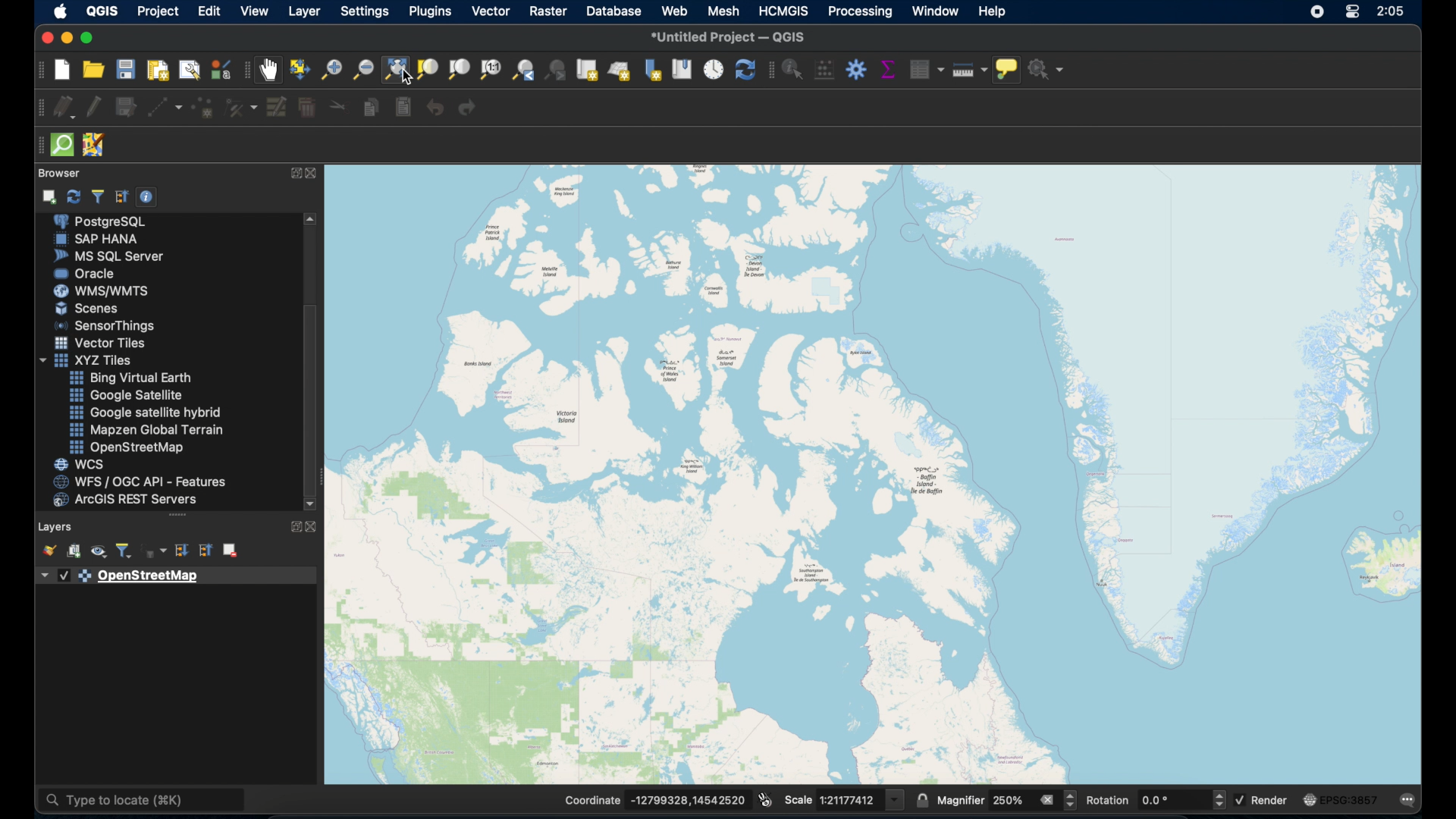 This screenshot has width=1456, height=819. I want to click on remove layer/group, so click(233, 551).